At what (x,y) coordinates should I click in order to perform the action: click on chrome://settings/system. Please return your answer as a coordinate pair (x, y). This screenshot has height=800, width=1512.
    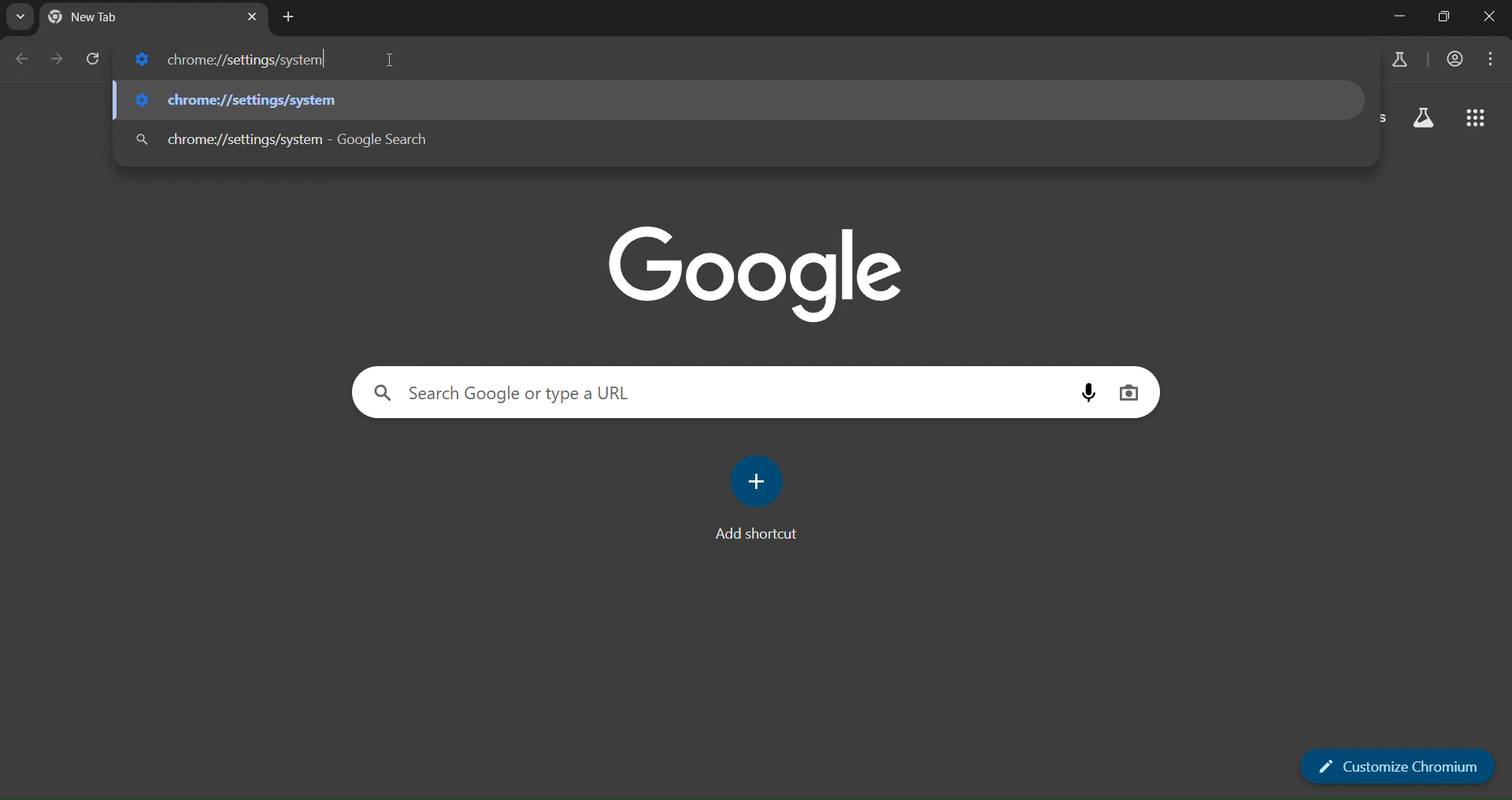
    Looking at the image, I should click on (246, 100).